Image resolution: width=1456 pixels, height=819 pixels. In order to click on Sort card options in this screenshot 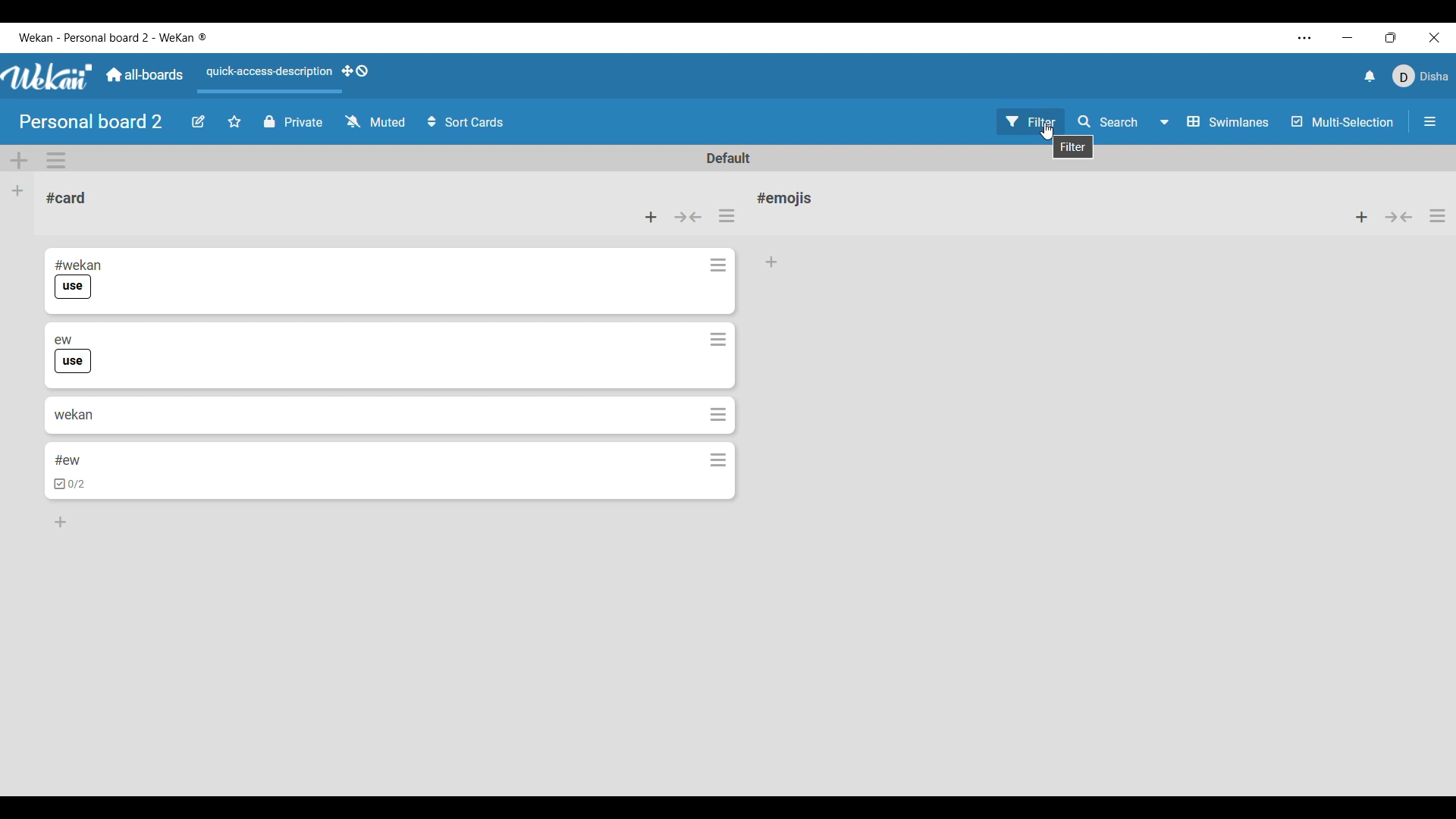, I will do `click(466, 121)`.